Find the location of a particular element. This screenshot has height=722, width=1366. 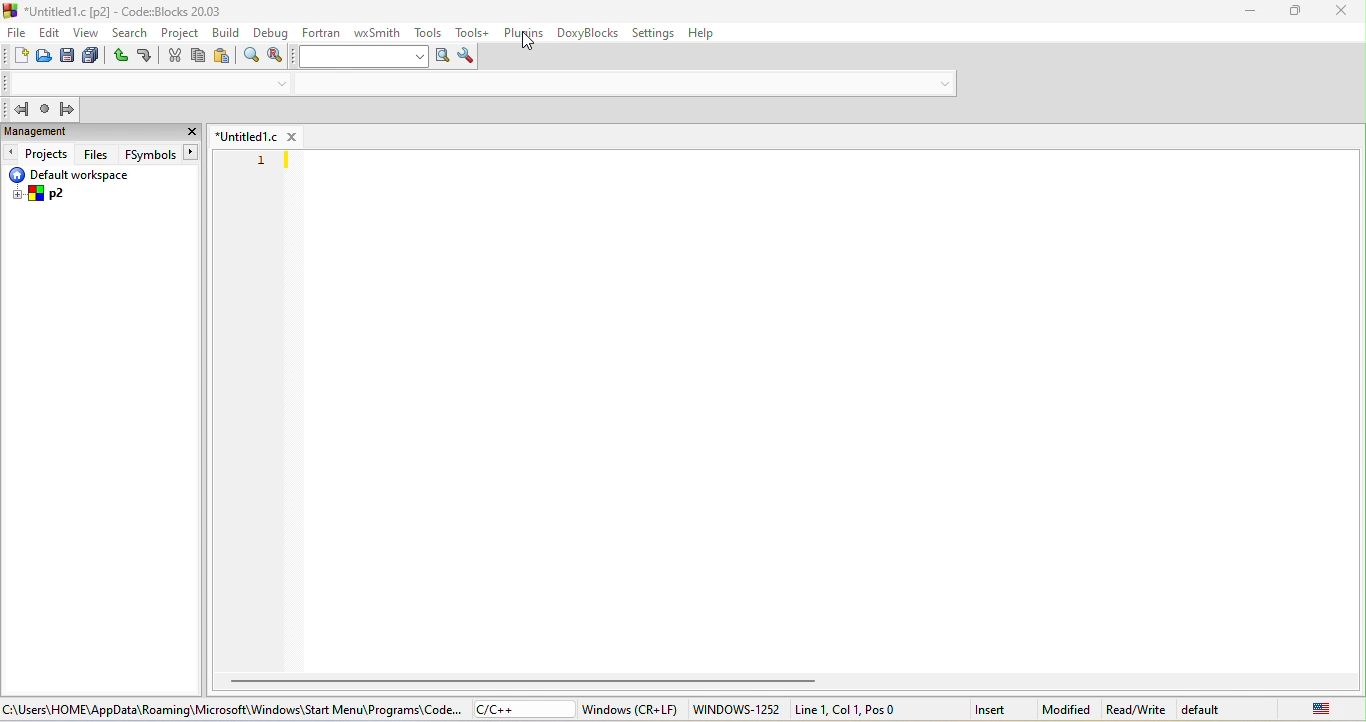

 windows is located at coordinates (630, 711).